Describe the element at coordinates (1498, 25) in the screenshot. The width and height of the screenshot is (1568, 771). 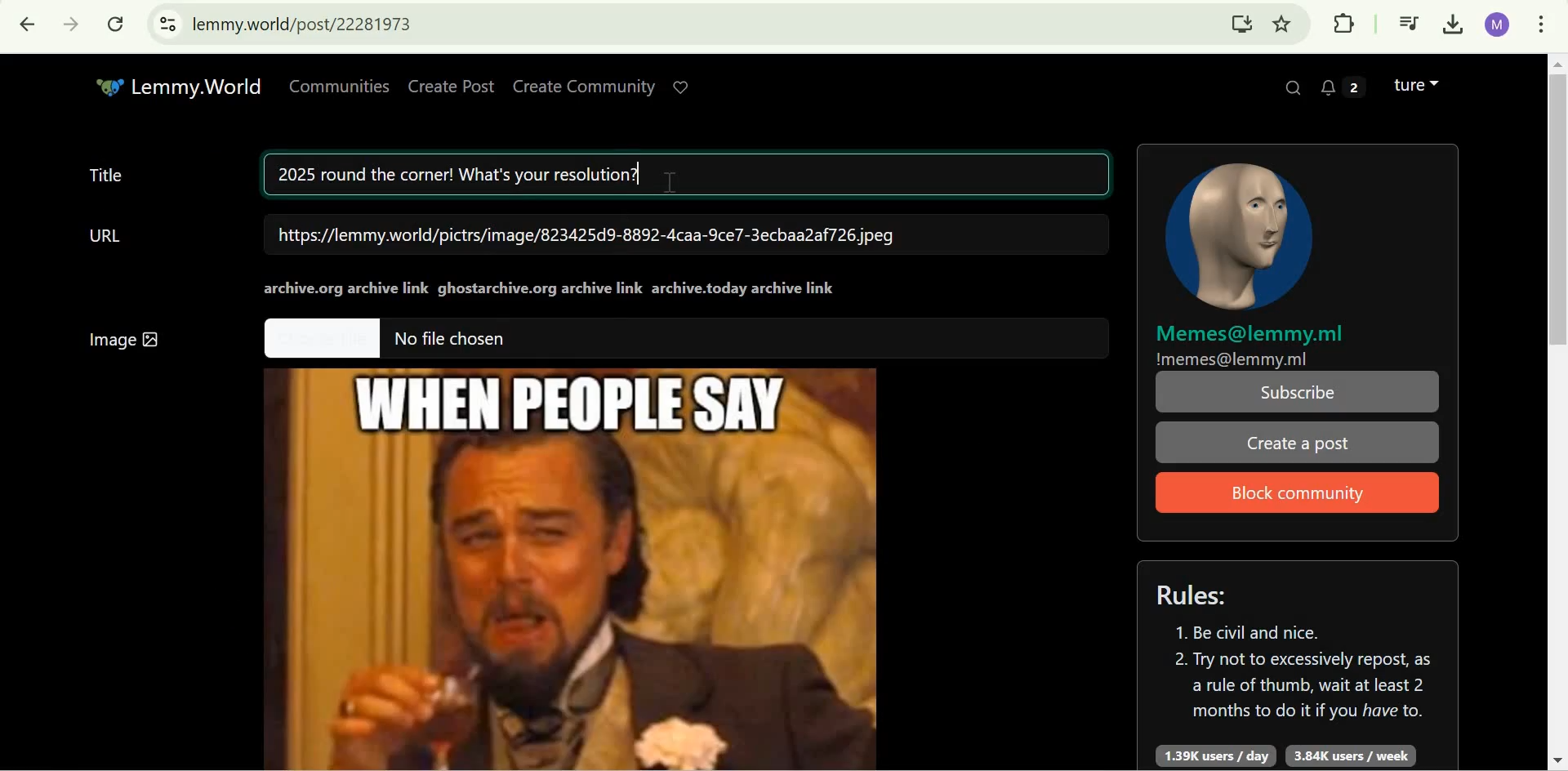
I see `Google account` at that location.